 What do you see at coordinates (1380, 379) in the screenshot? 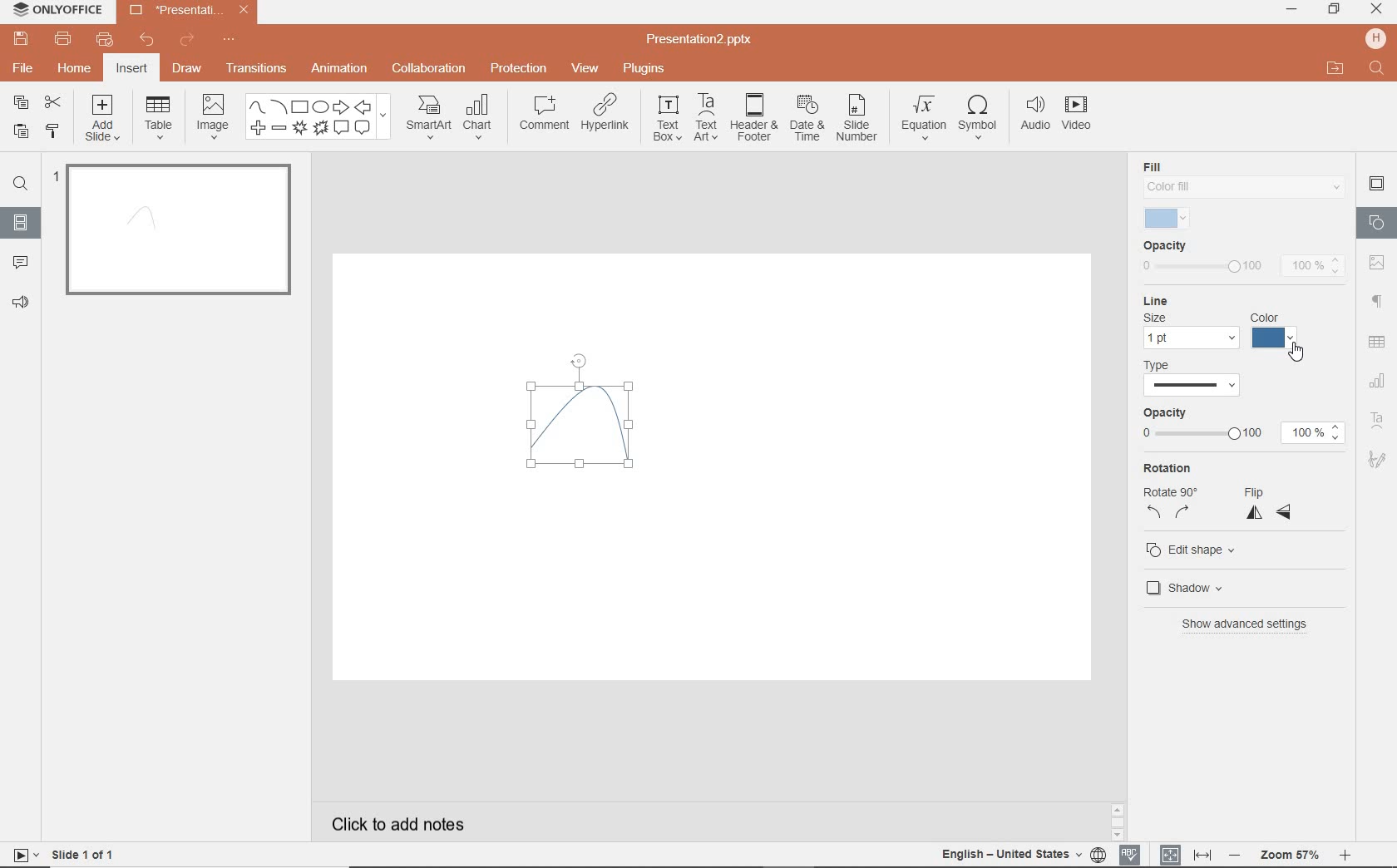
I see `CHART SETTINGS` at bounding box center [1380, 379].